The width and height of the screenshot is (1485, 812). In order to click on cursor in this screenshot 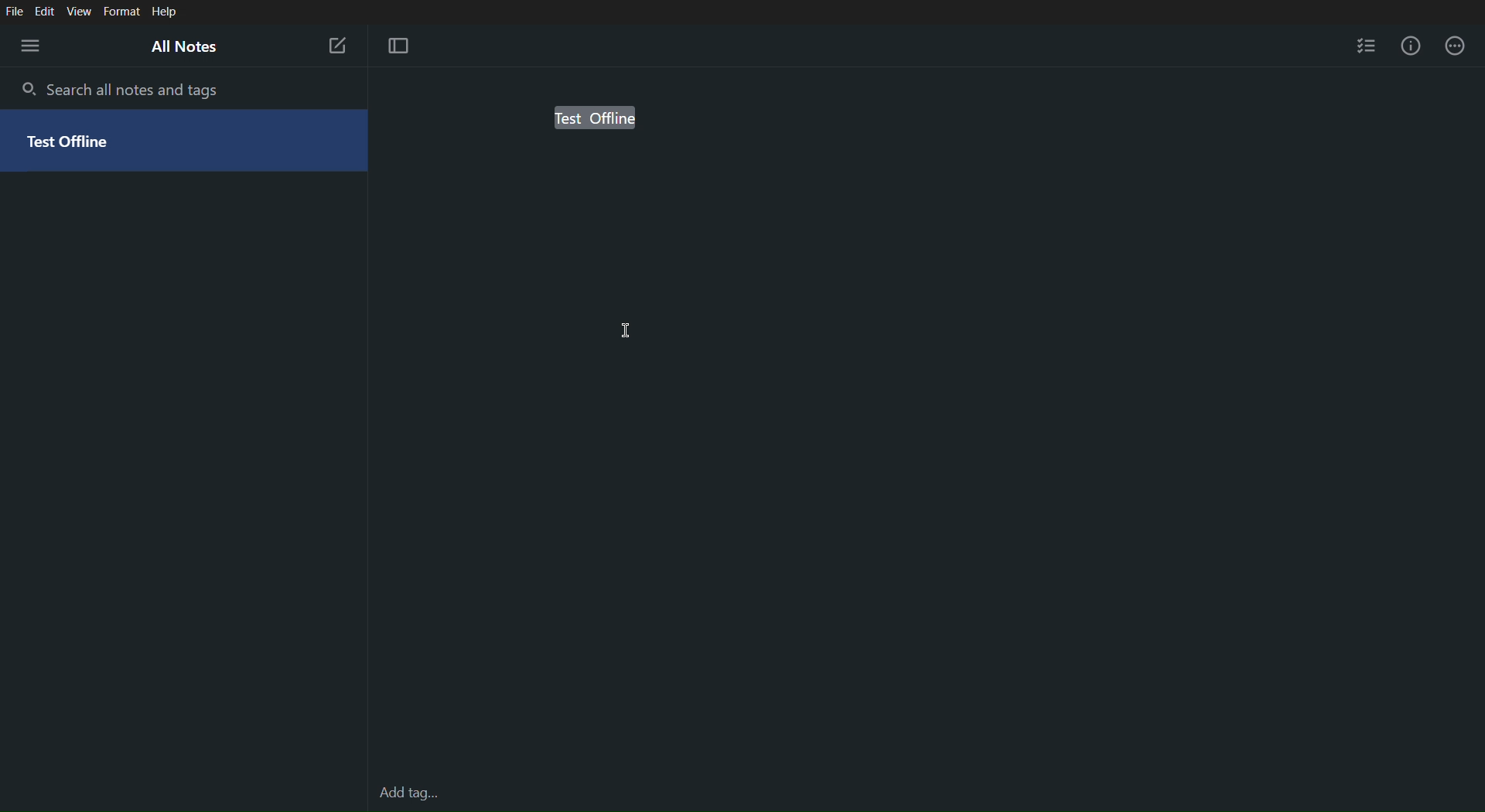, I will do `click(627, 330)`.